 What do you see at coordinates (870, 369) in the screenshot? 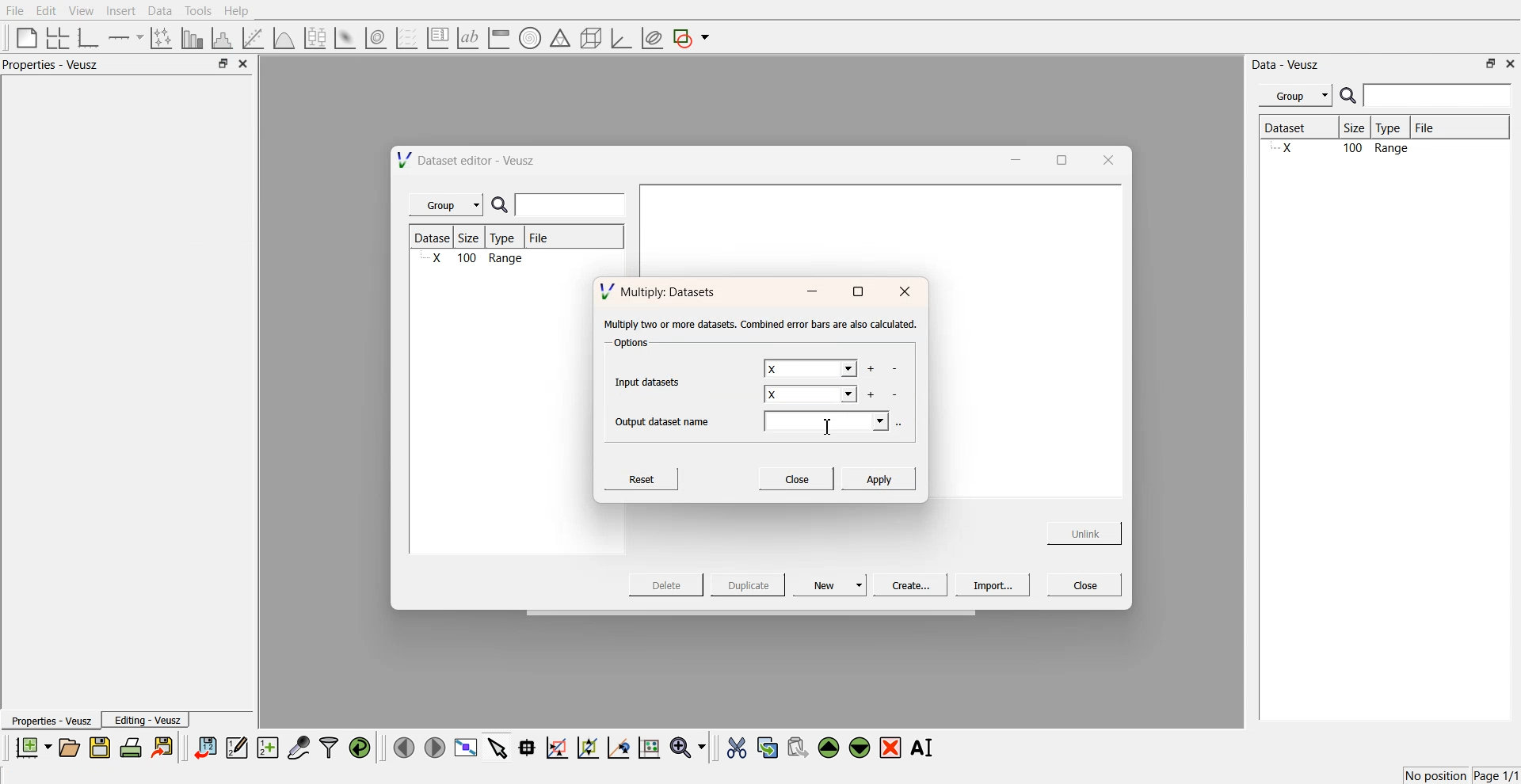
I see `add more` at bounding box center [870, 369].